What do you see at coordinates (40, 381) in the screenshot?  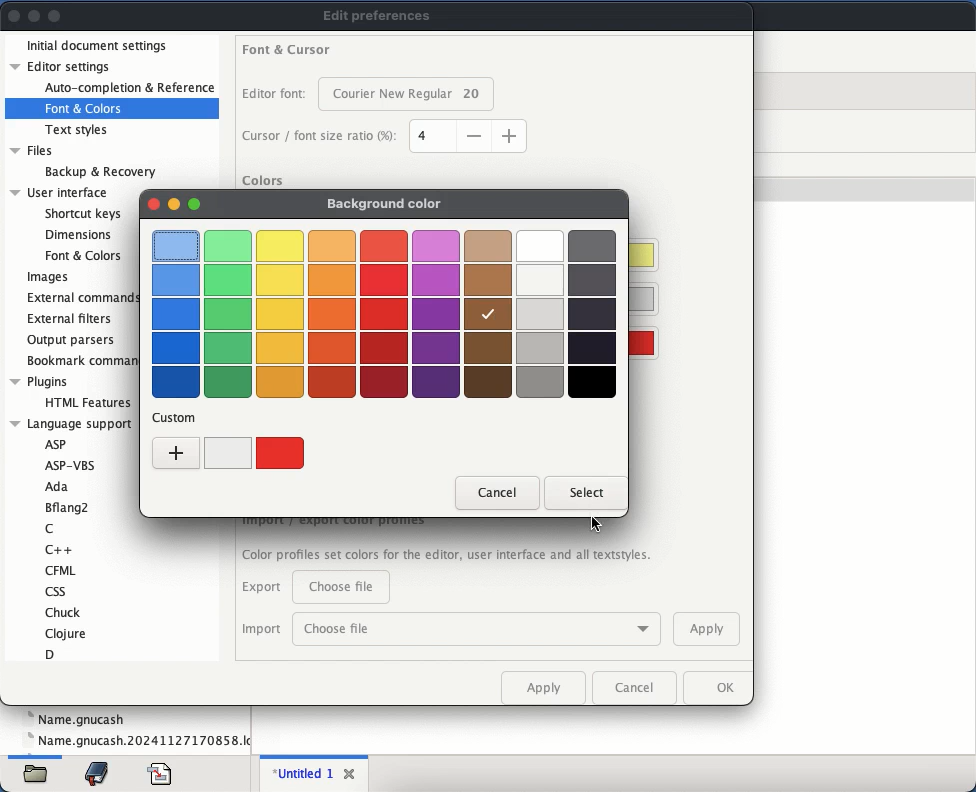 I see `Plugins` at bounding box center [40, 381].